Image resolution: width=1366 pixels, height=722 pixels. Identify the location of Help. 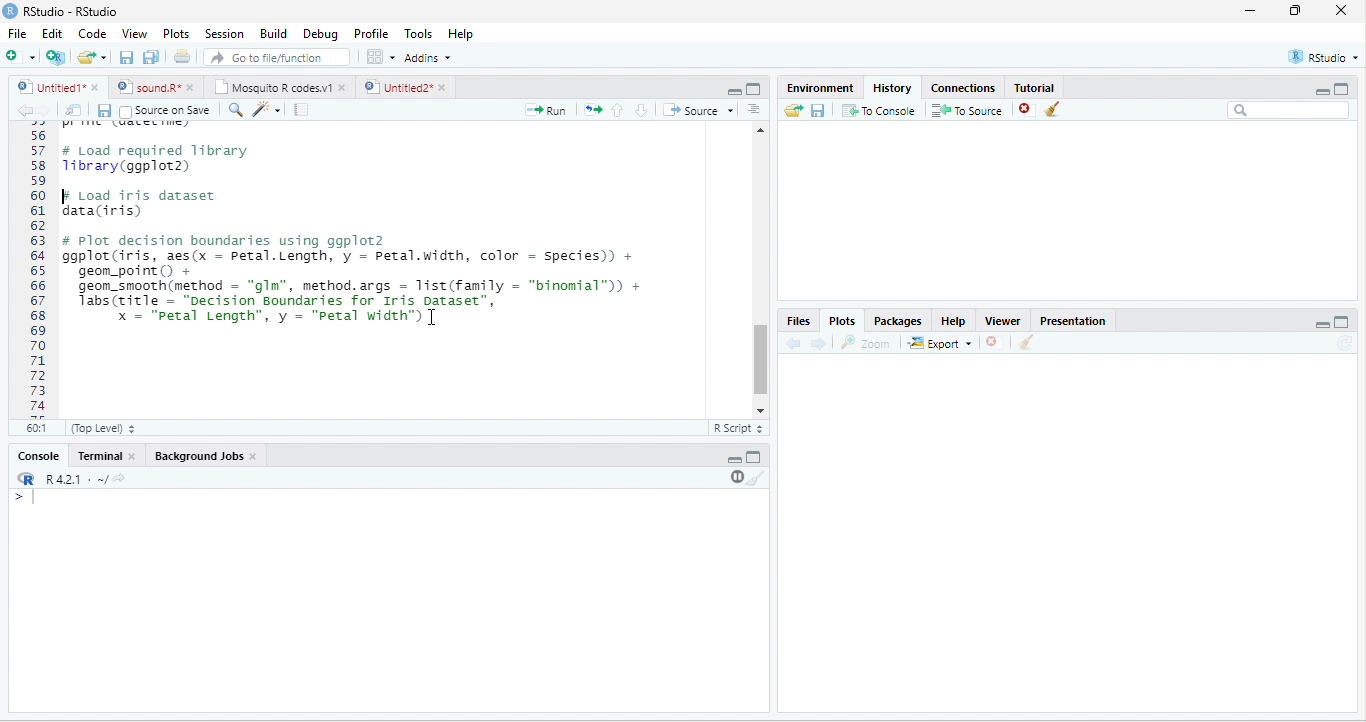
(954, 321).